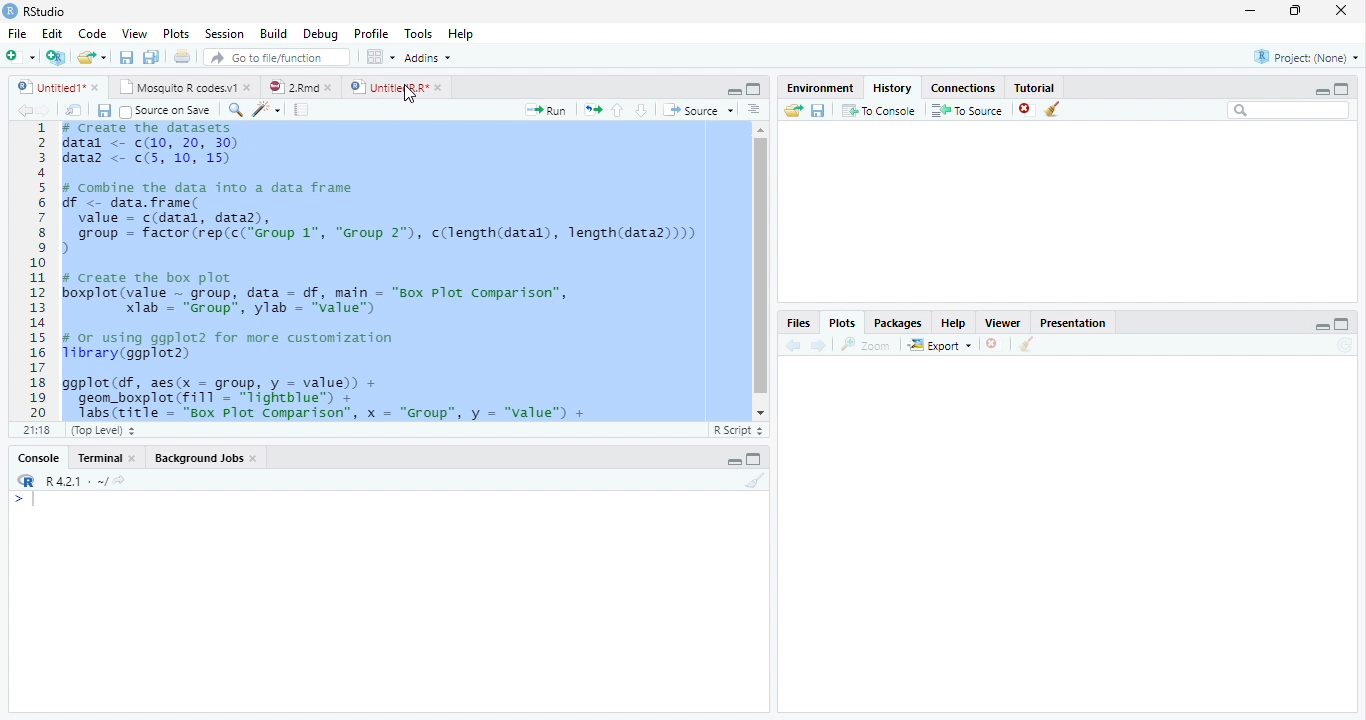 The height and width of the screenshot is (720, 1366). I want to click on Remove current plot, so click(995, 344).